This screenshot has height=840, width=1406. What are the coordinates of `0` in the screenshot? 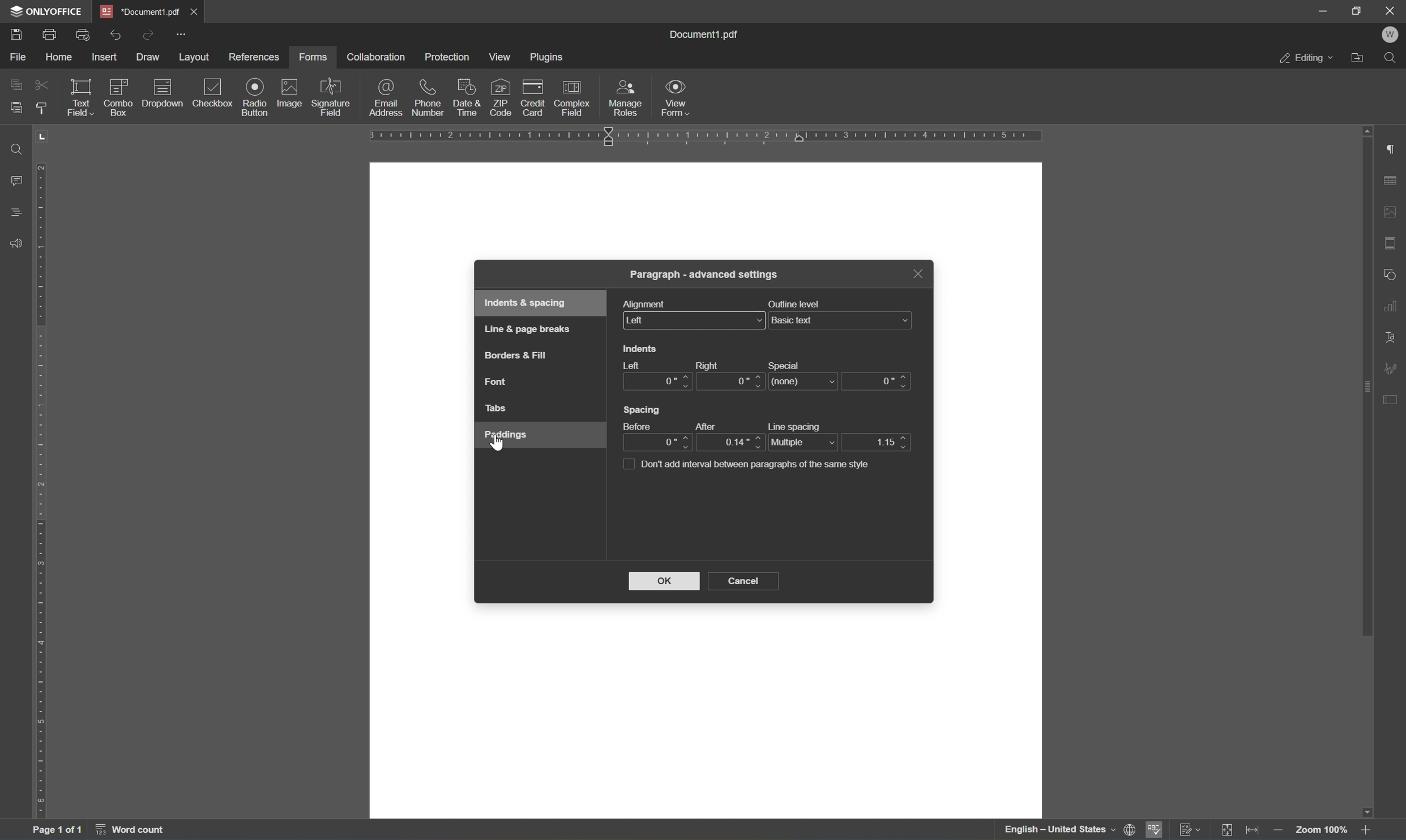 It's located at (731, 383).